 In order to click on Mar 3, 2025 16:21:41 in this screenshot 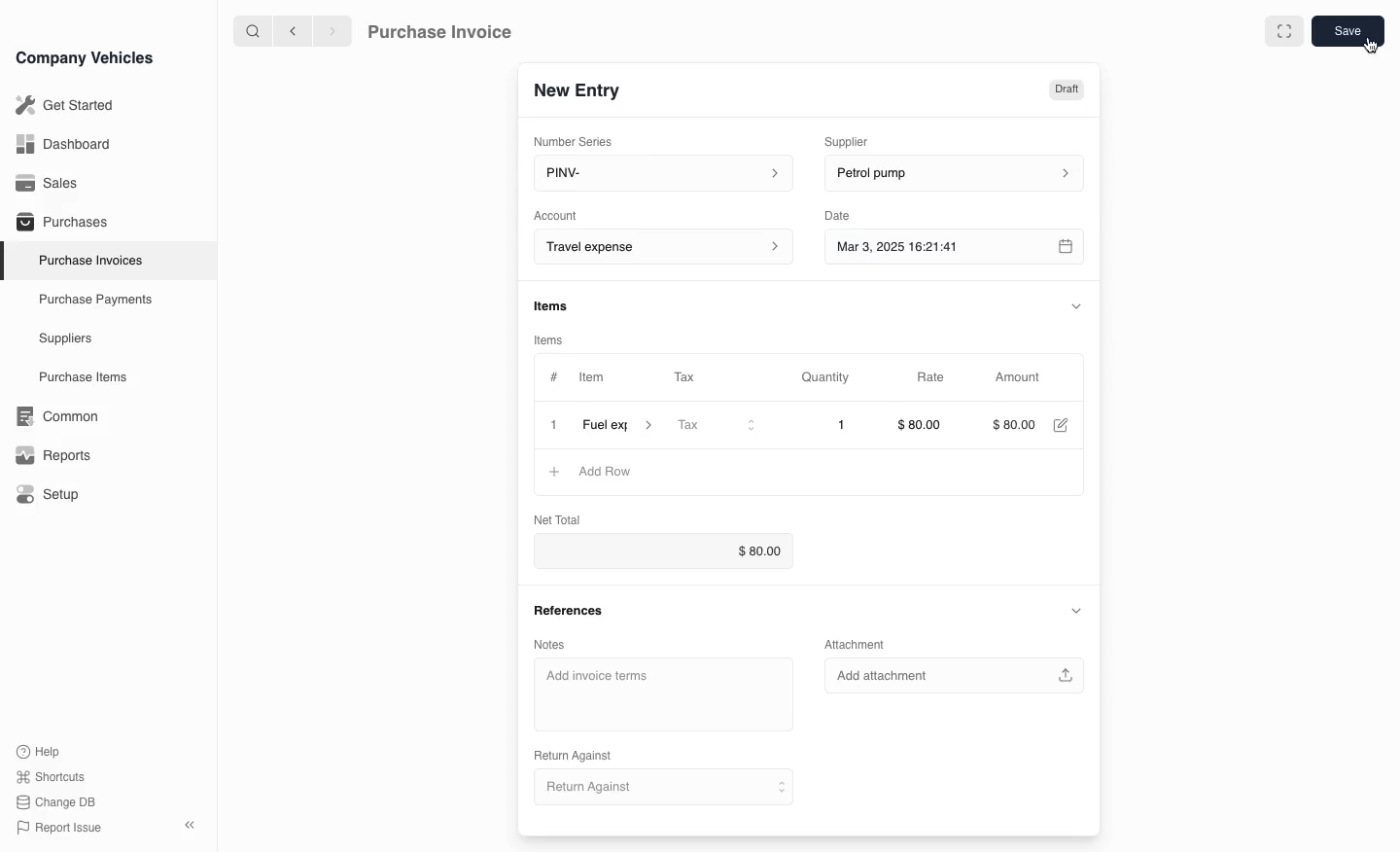, I will do `click(935, 248)`.